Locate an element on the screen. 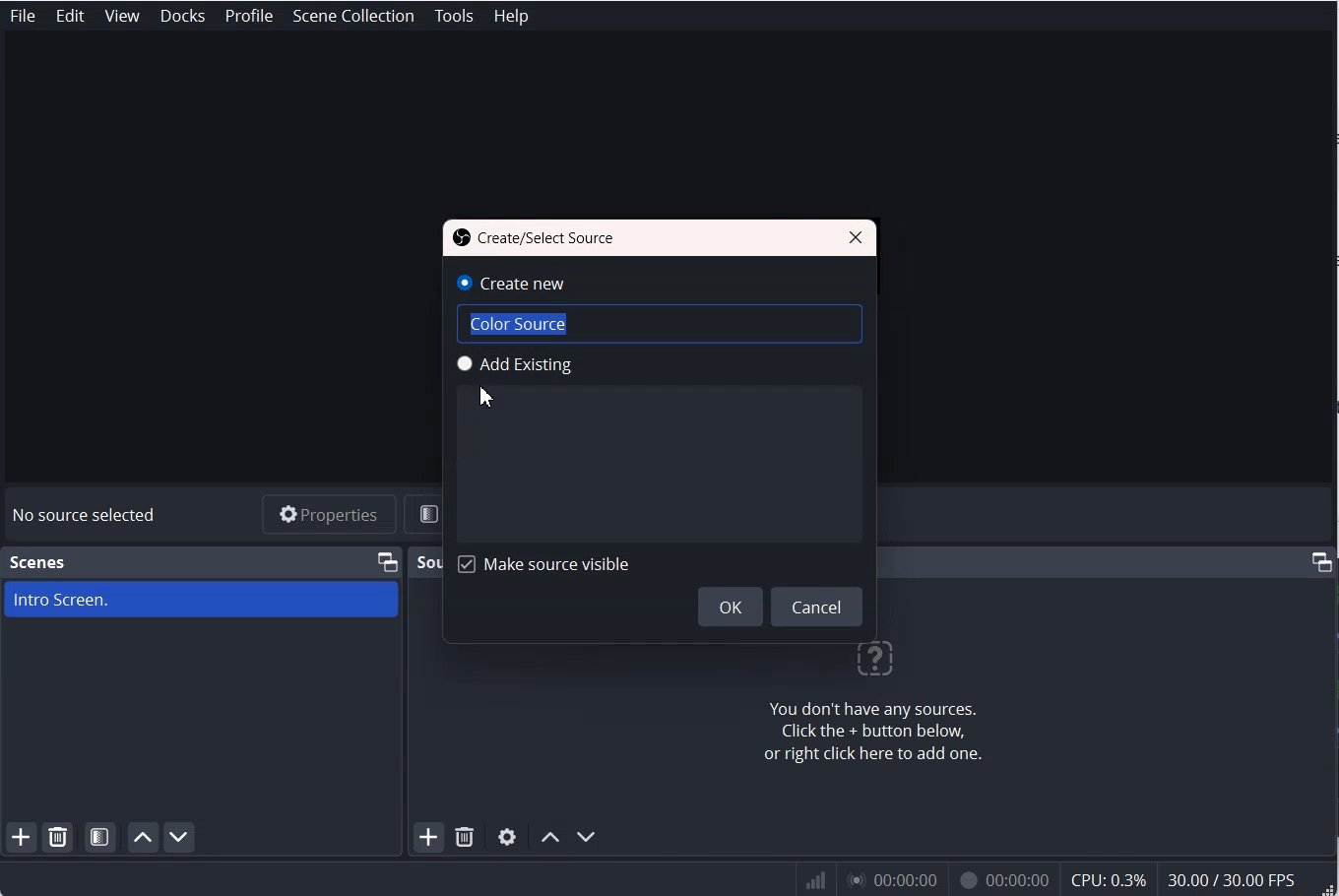  OK is located at coordinates (730, 606).